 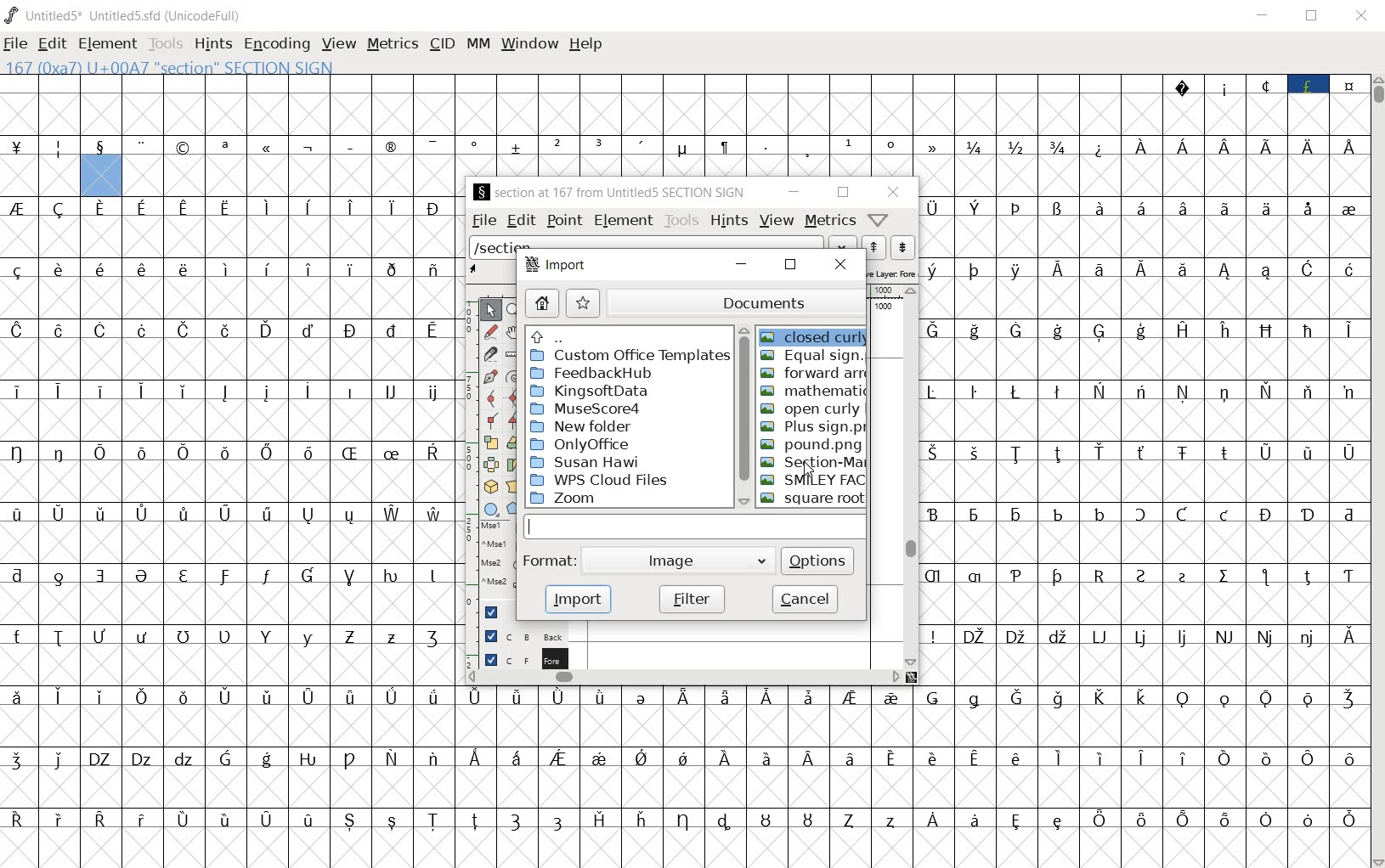 I want to click on special letters, so click(x=687, y=757).